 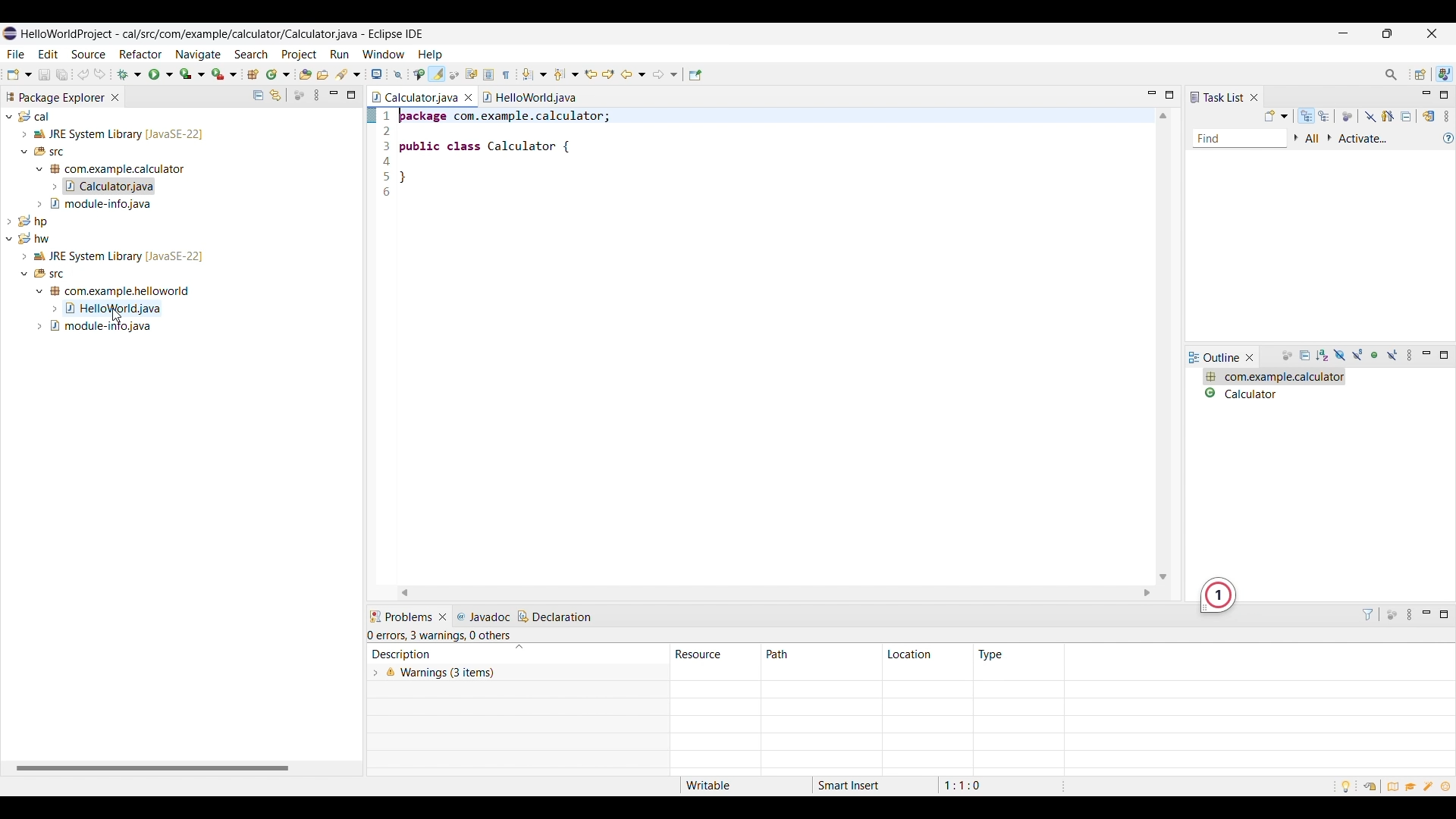 What do you see at coordinates (179, 160) in the screenshot?
I see `cal project` at bounding box center [179, 160].